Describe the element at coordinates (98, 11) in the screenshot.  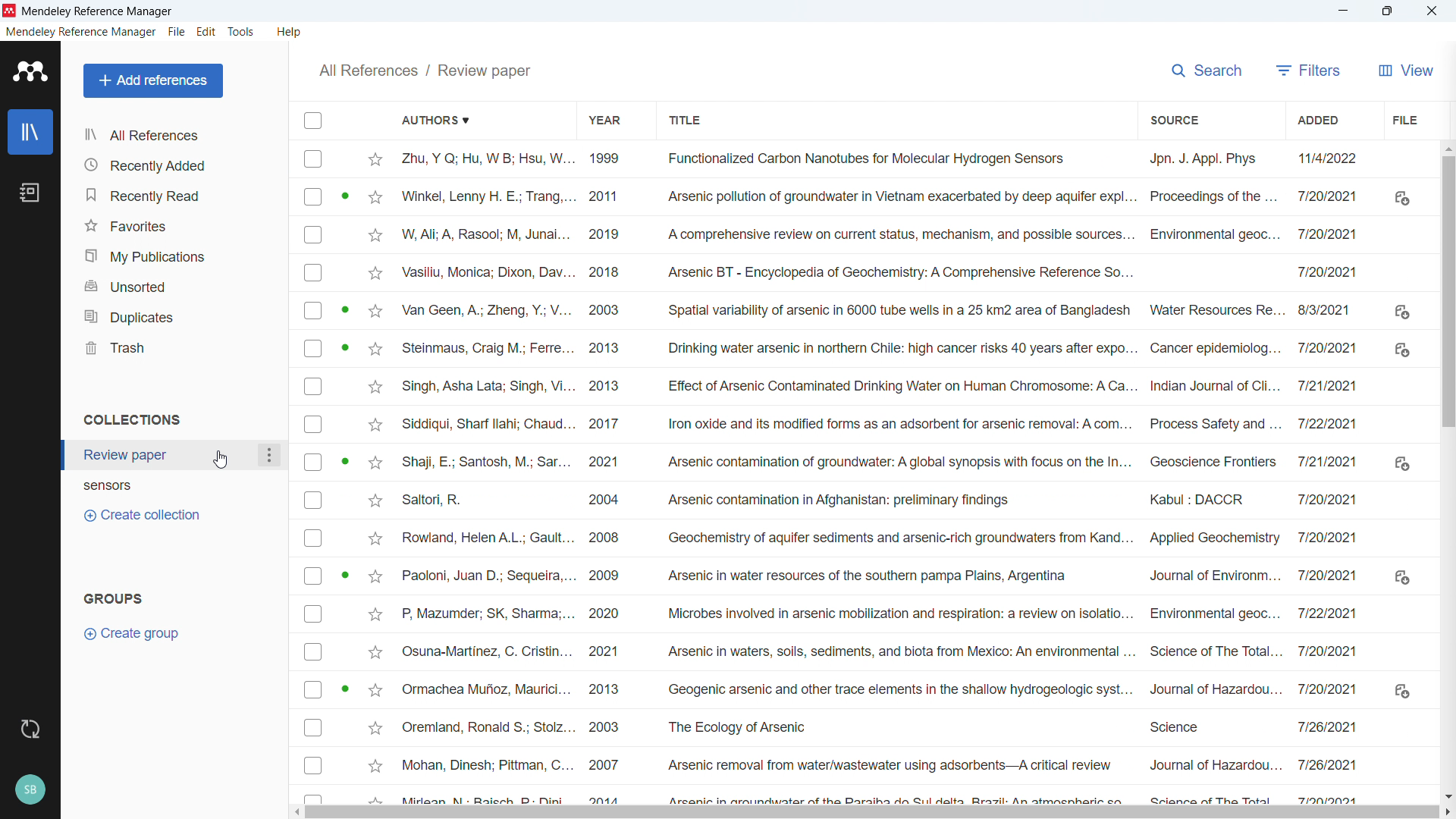
I see `title ` at that location.